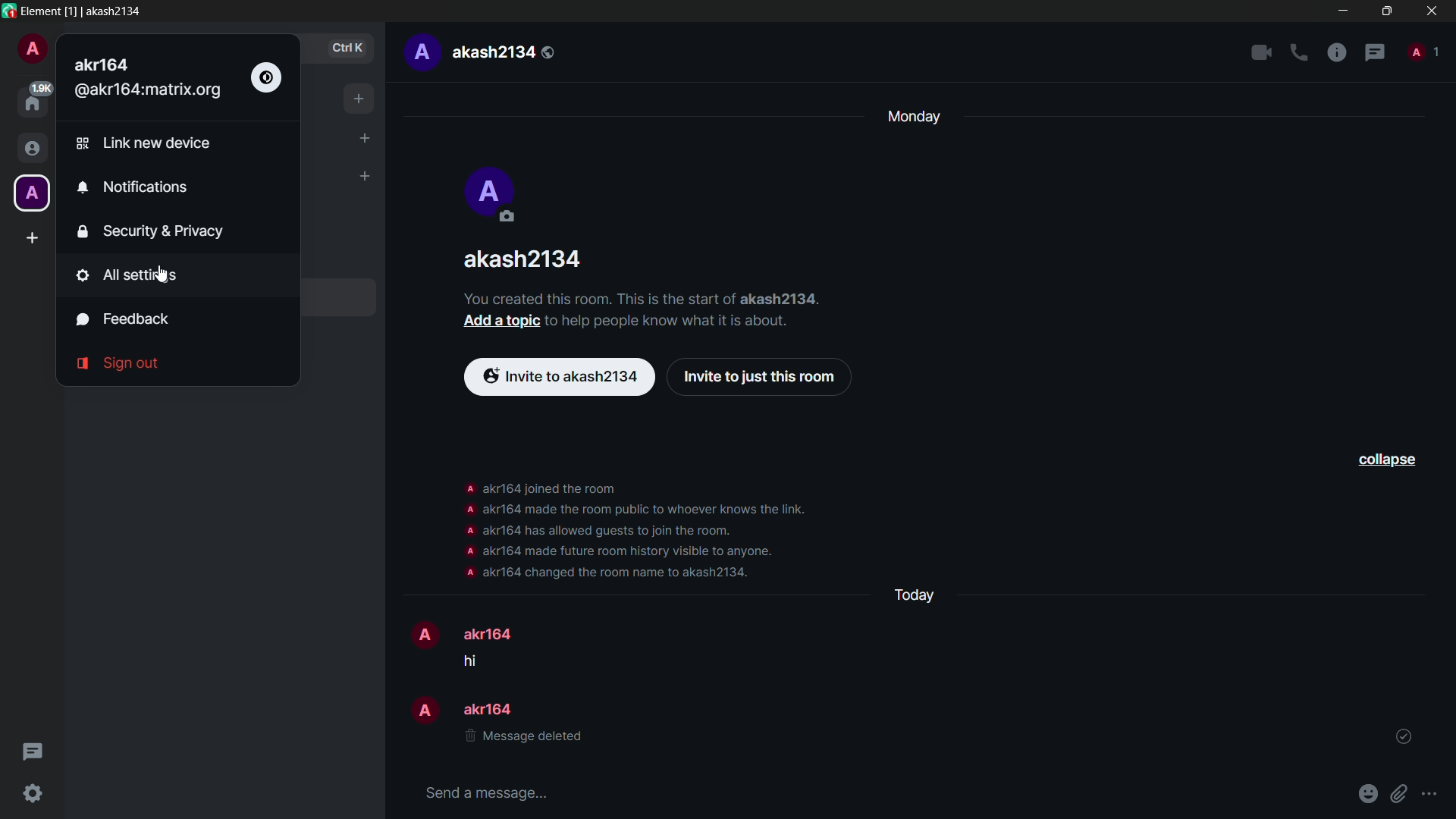  I want to click on people, so click(1422, 50).